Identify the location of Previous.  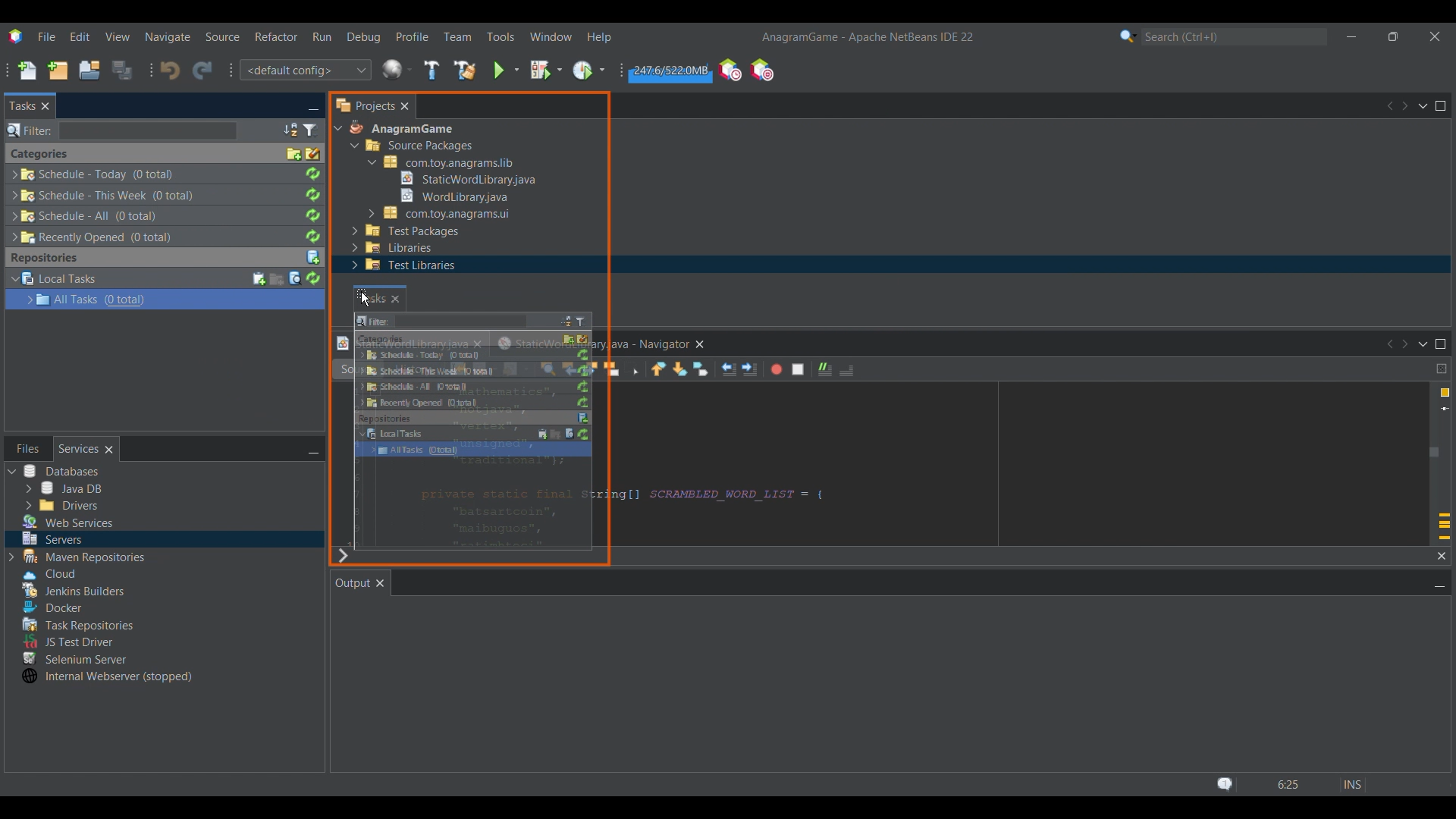
(1389, 106).